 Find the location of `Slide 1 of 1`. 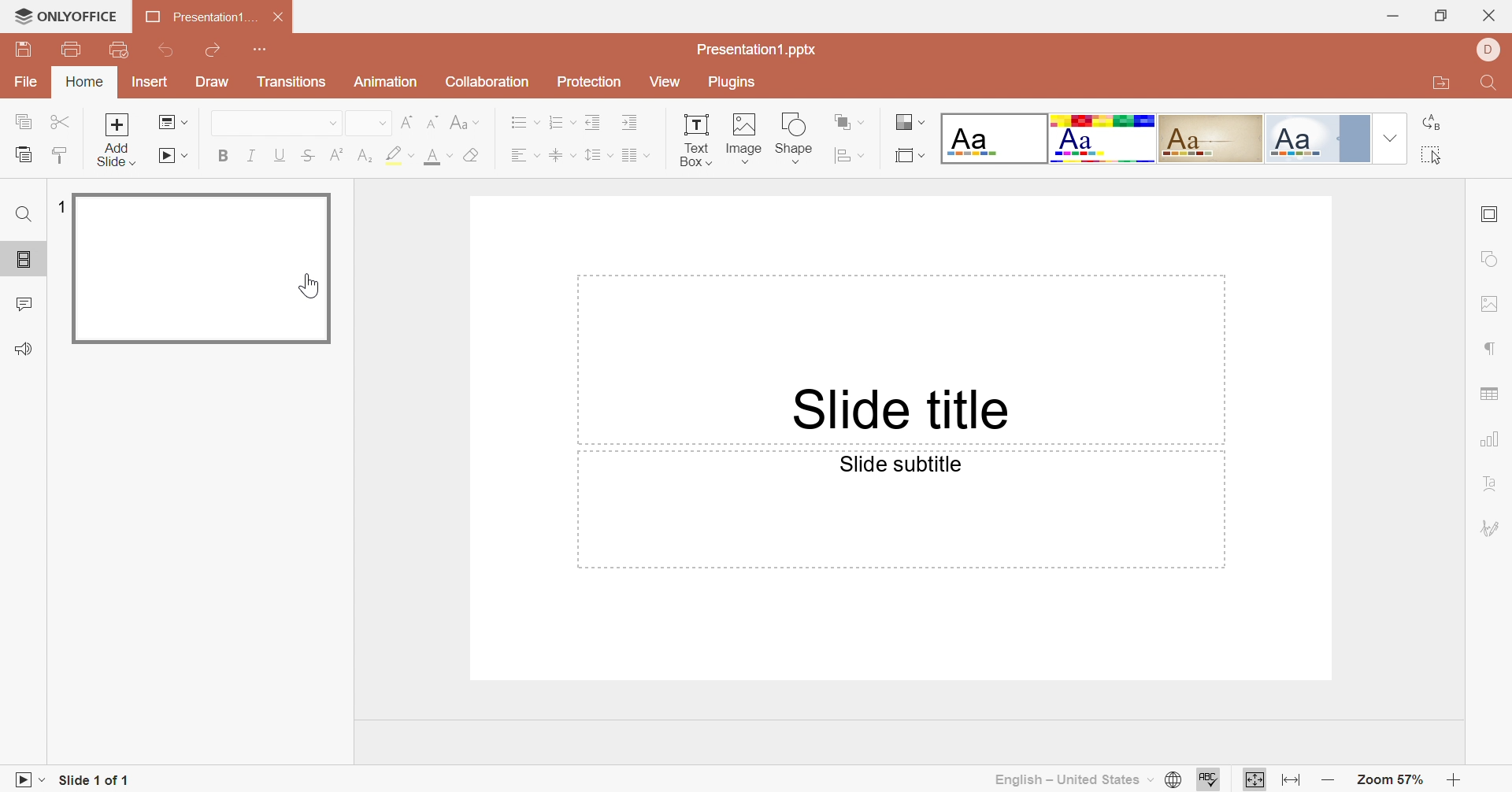

Slide 1 of 1 is located at coordinates (98, 779).